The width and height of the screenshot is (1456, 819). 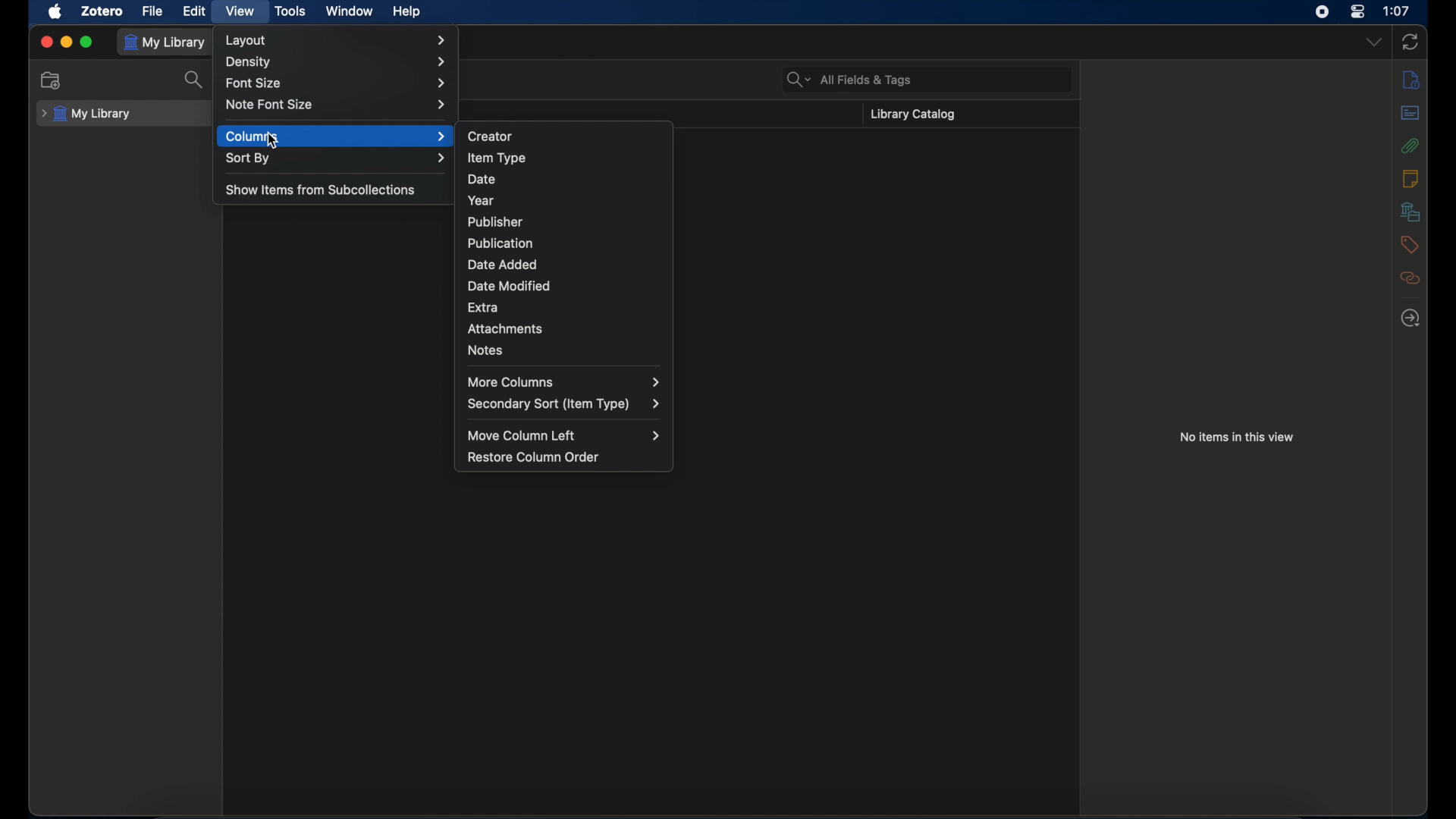 I want to click on file, so click(x=153, y=11).